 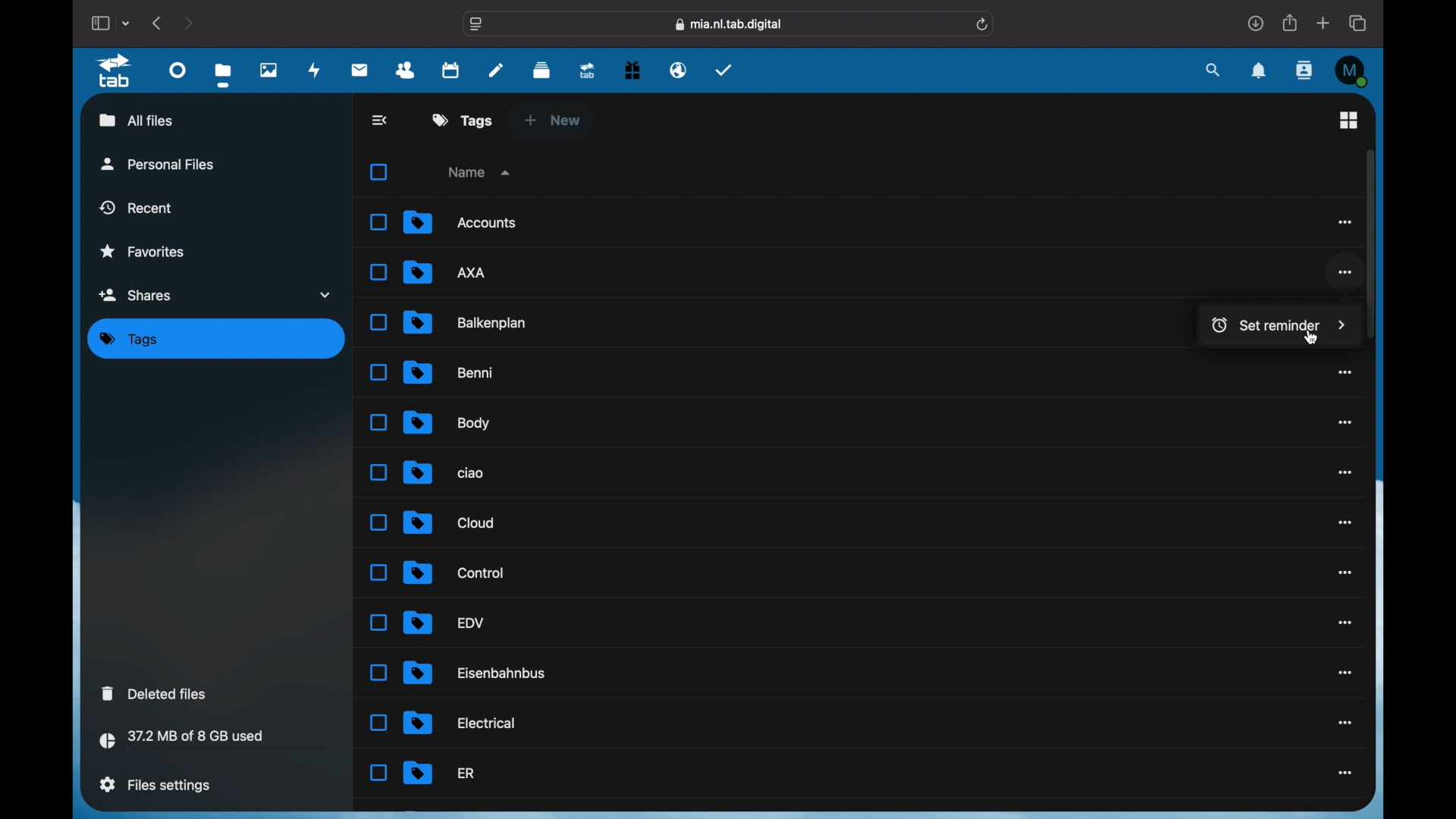 I want to click on email, so click(x=678, y=69).